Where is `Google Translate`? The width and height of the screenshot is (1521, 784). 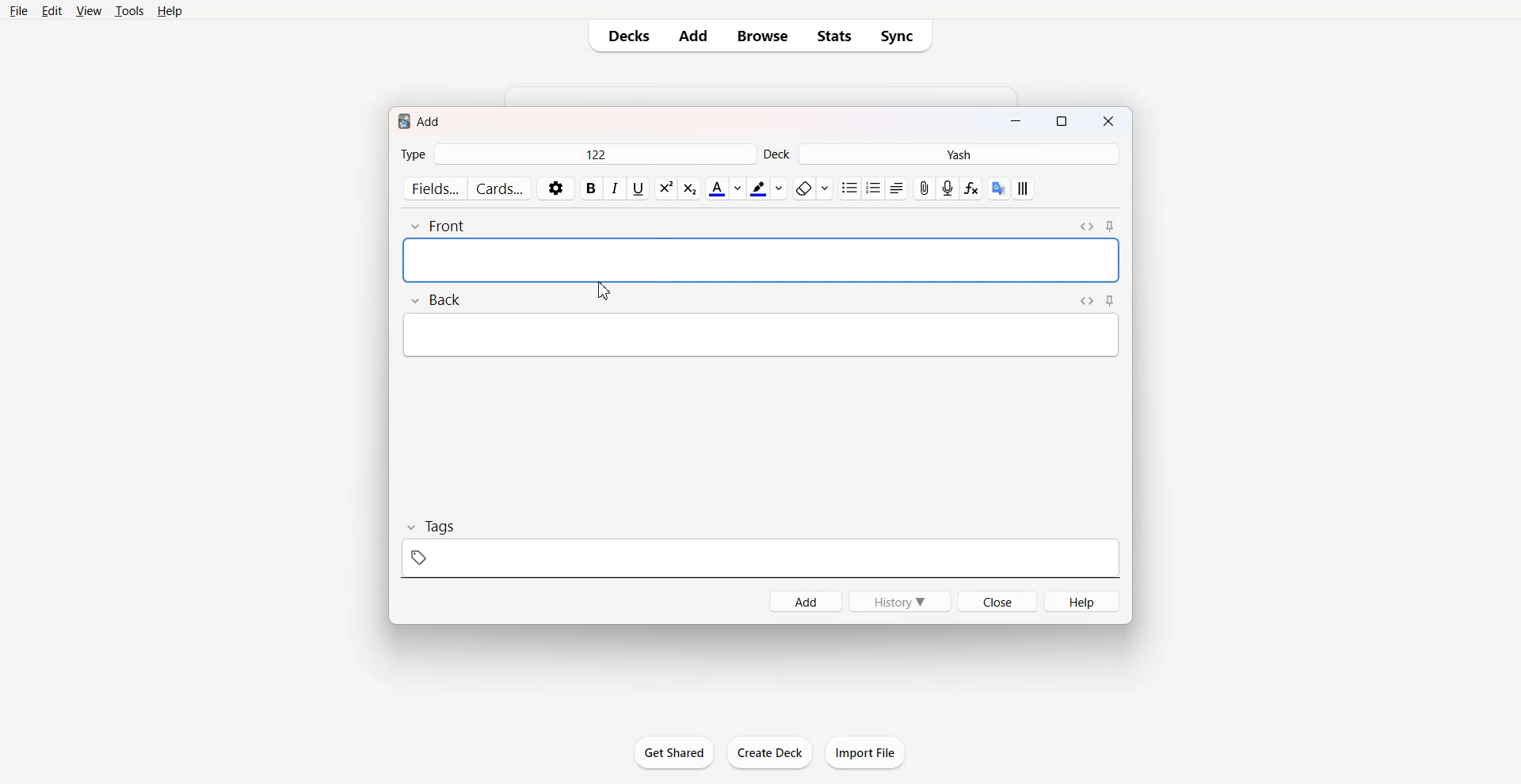
Google Translate is located at coordinates (999, 188).